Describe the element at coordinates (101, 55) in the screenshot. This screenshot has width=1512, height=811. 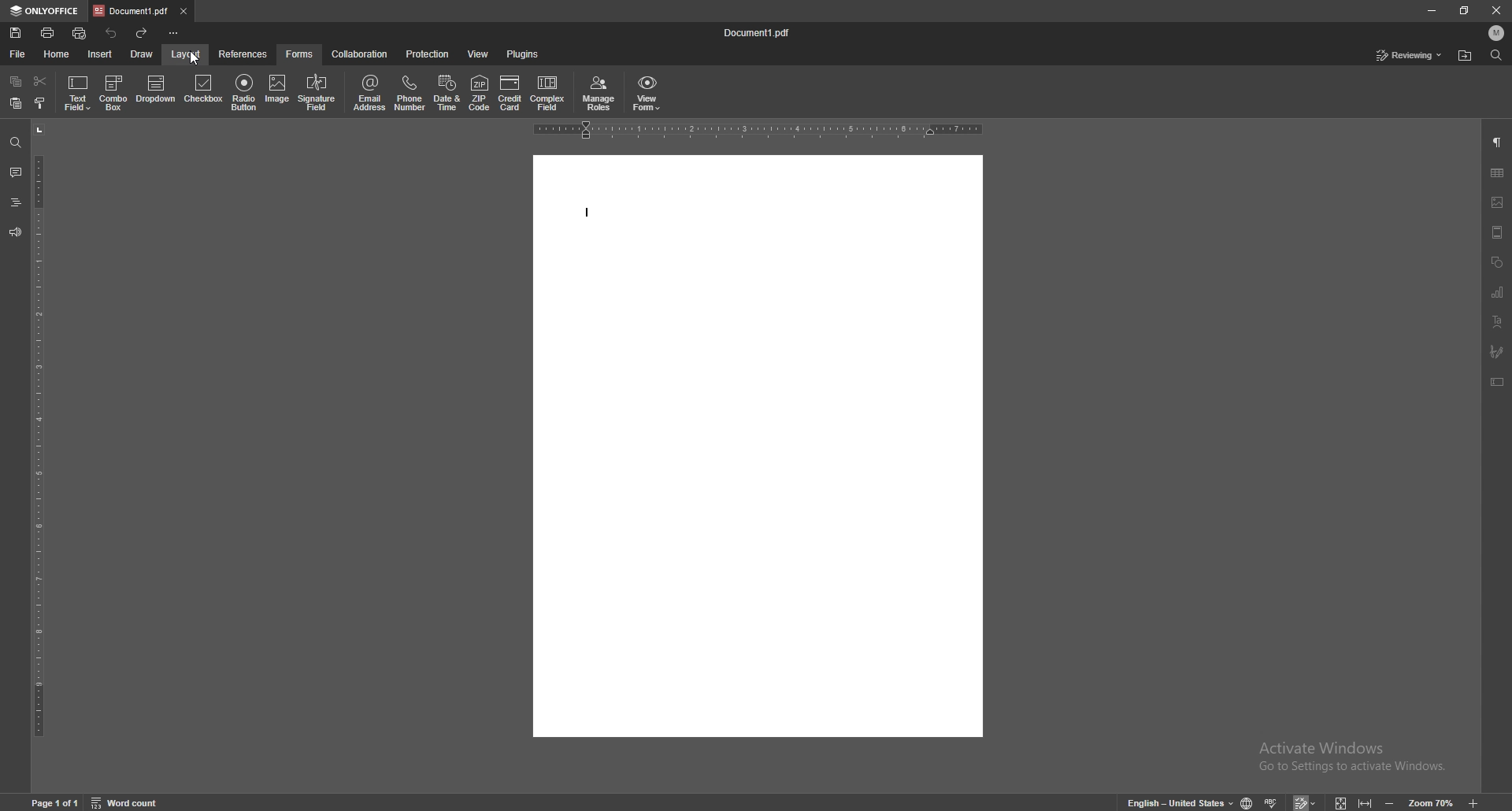
I see `insert` at that location.